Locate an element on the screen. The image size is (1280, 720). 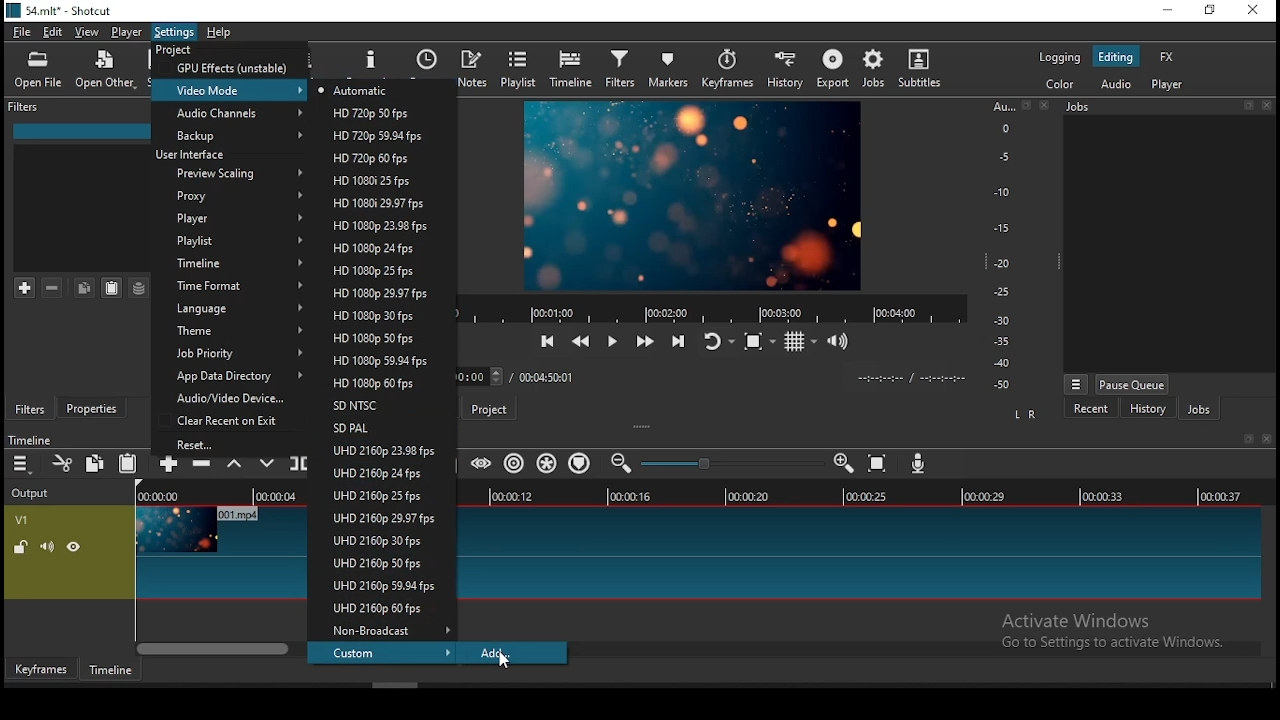
unlock is located at coordinates (23, 548).